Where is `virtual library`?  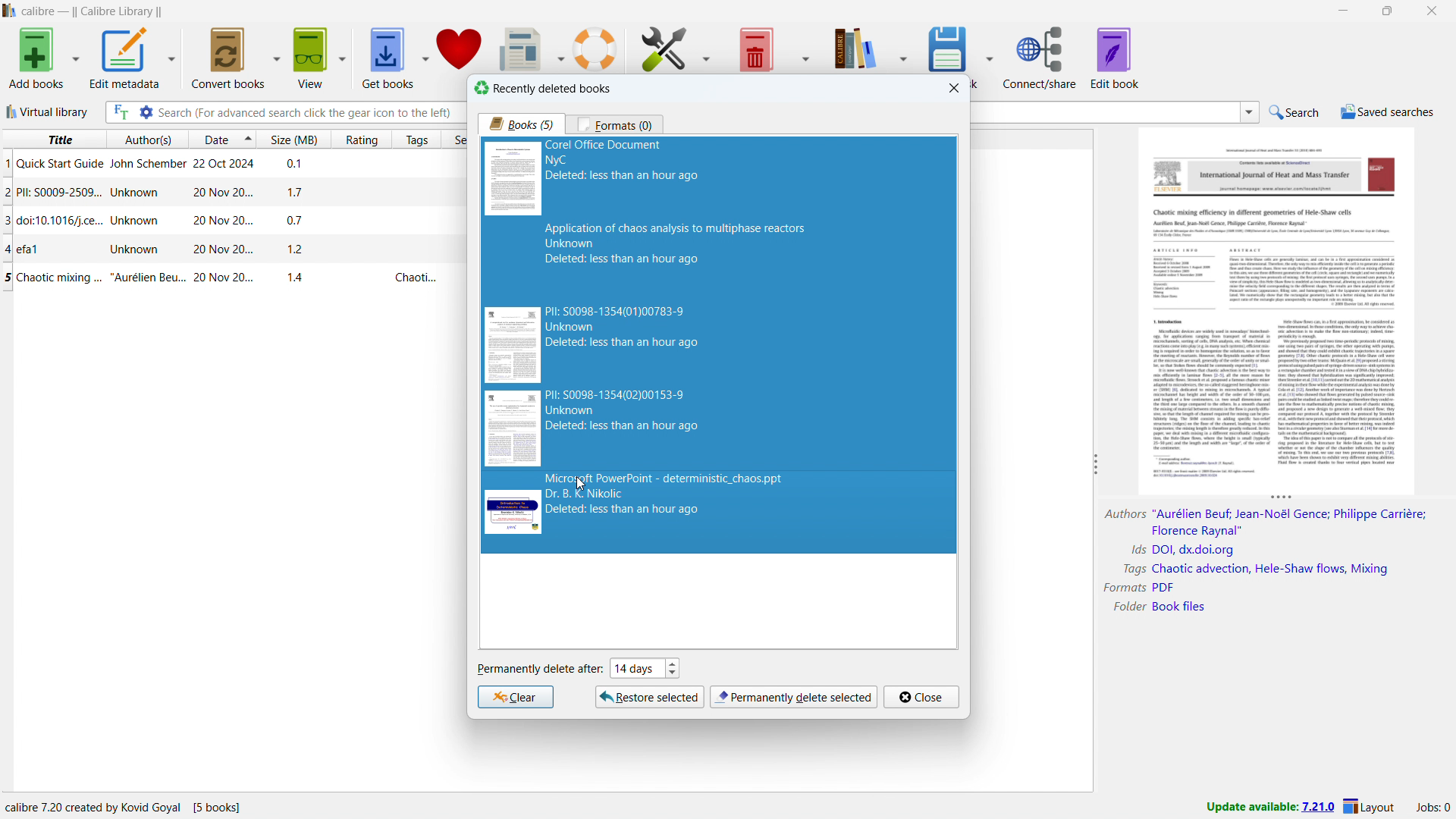 virtual library is located at coordinates (46, 111).